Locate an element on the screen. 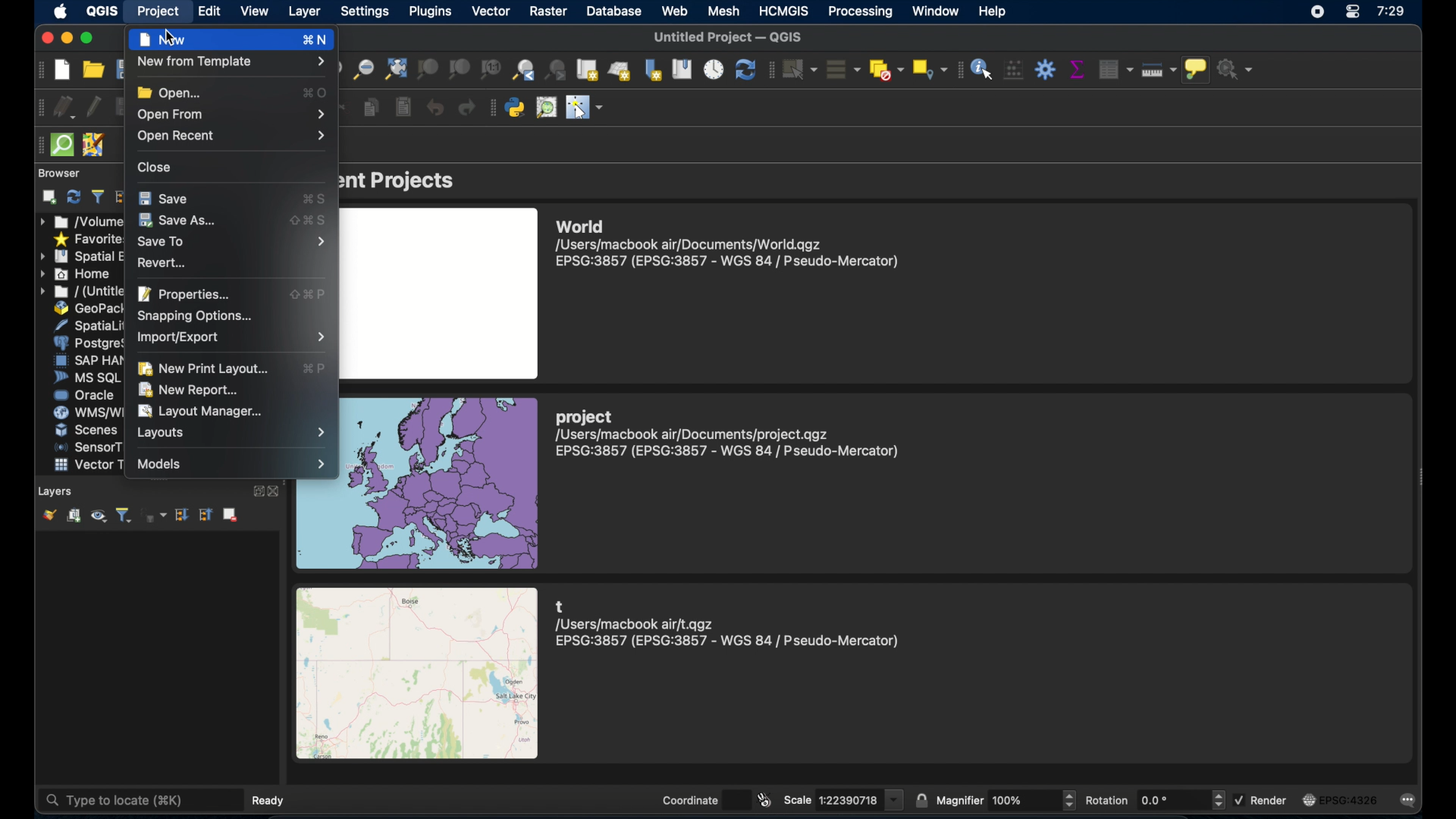  icon is located at coordinates (61, 395).